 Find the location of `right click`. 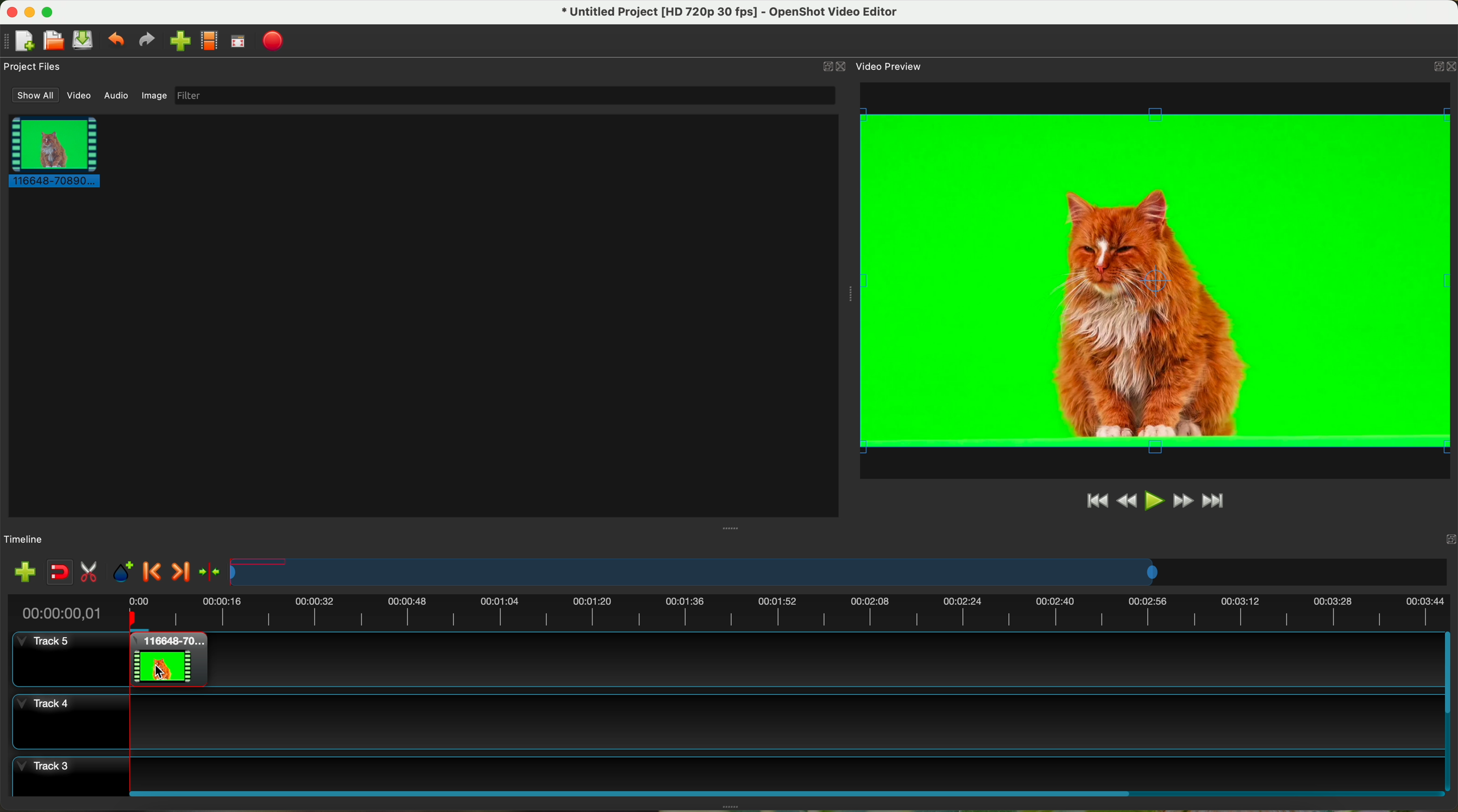

right click is located at coordinates (163, 663).